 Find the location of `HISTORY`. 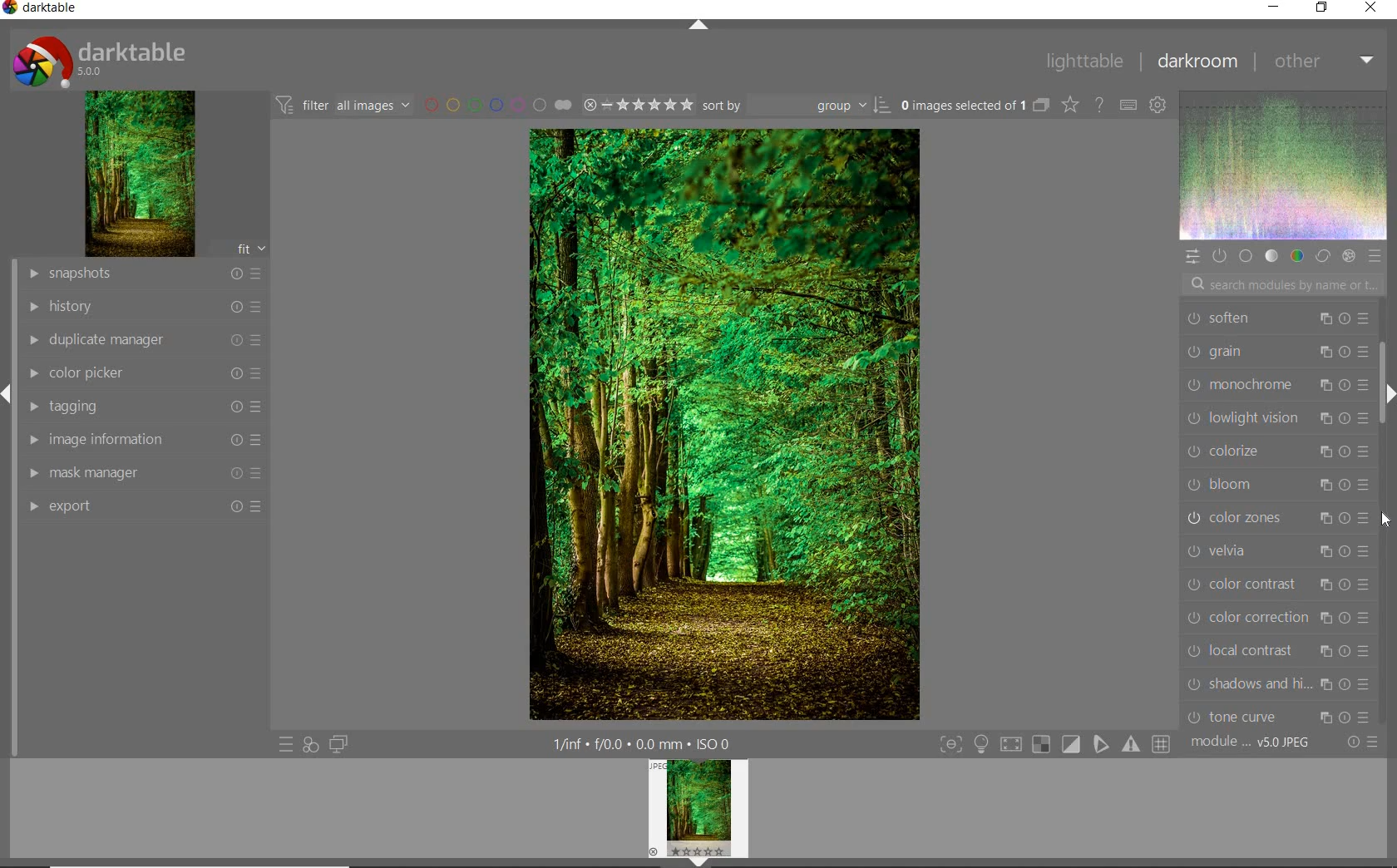

HISTORY is located at coordinates (141, 308).